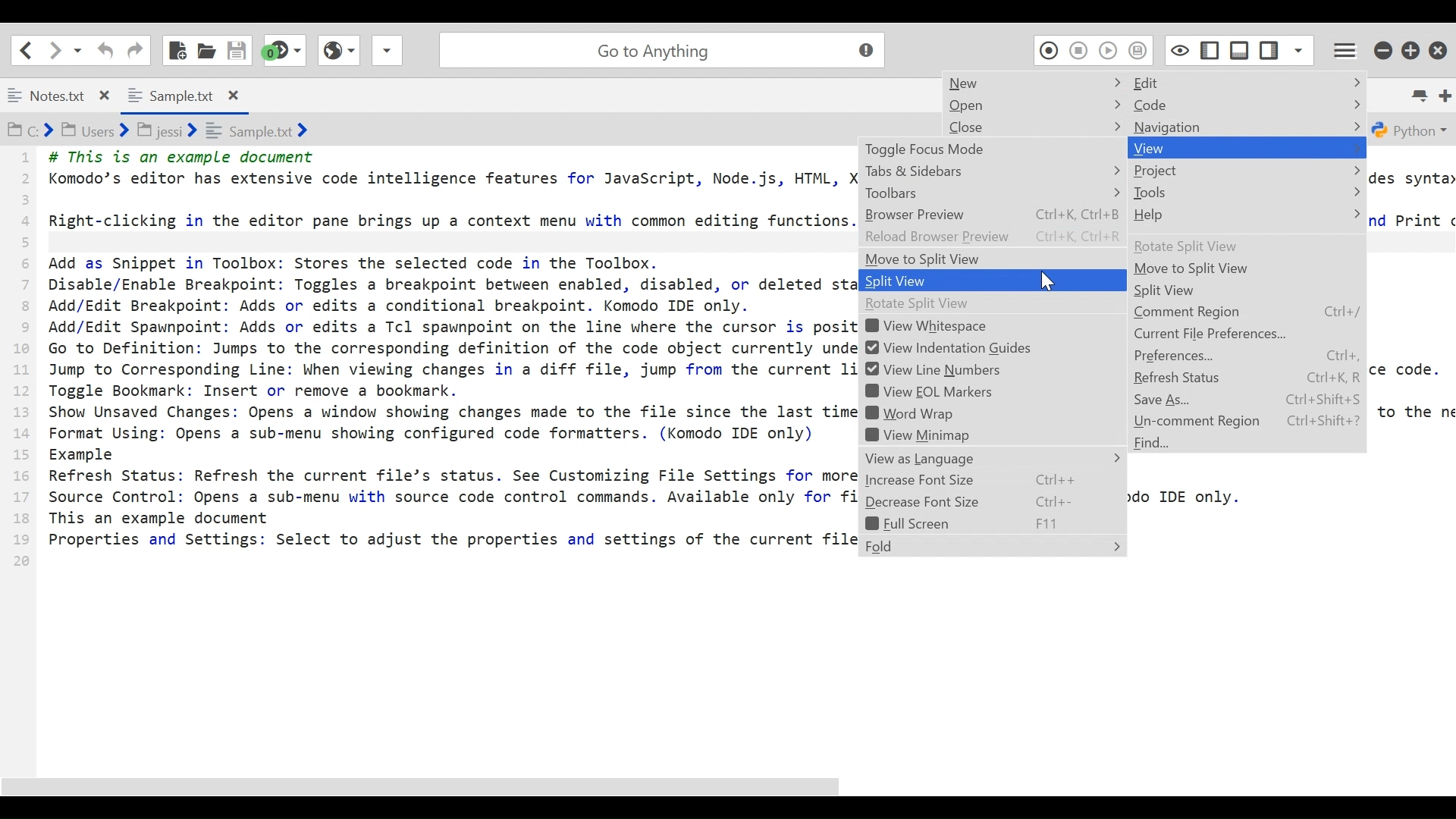 The width and height of the screenshot is (1456, 819). Describe the element at coordinates (1412, 51) in the screenshot. I see `Restore` at that location.